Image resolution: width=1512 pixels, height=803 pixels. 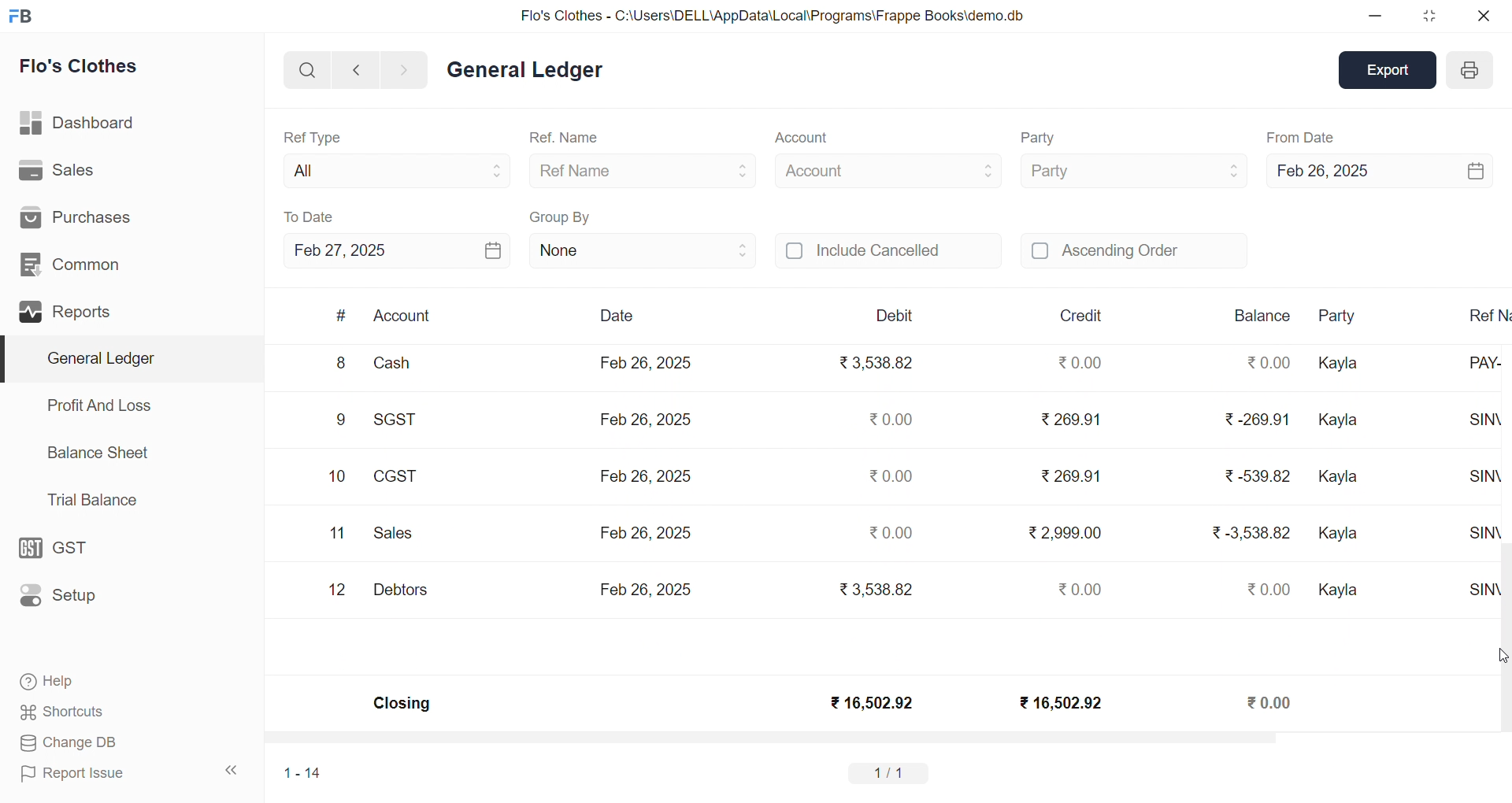 What do you see at coordinates (1073, 473) in the screenshot?
I see `₹269.91` at bounding box center [1073, 473].